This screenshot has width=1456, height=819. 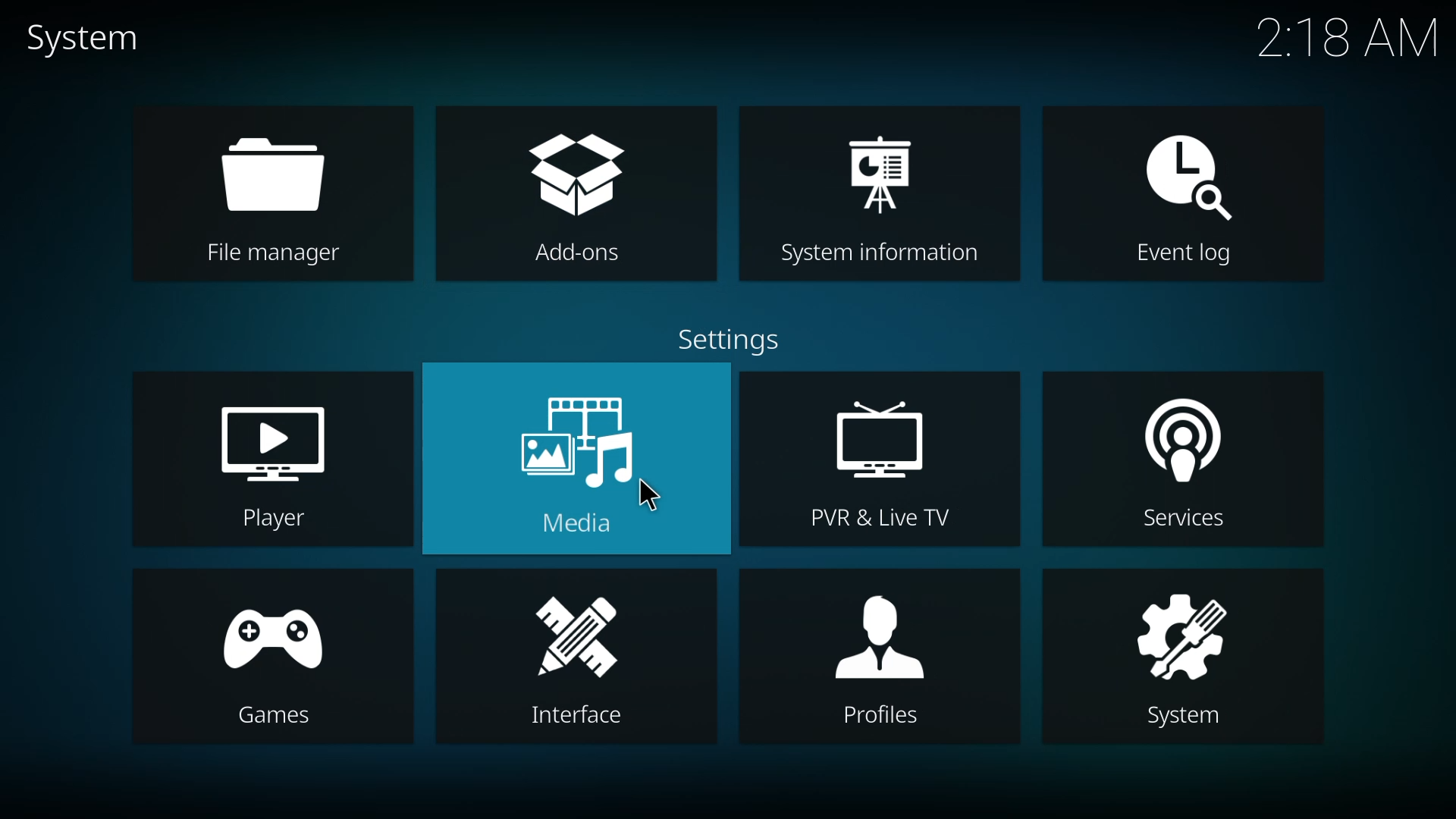 I want to click on system, so click(x=89, y=39).